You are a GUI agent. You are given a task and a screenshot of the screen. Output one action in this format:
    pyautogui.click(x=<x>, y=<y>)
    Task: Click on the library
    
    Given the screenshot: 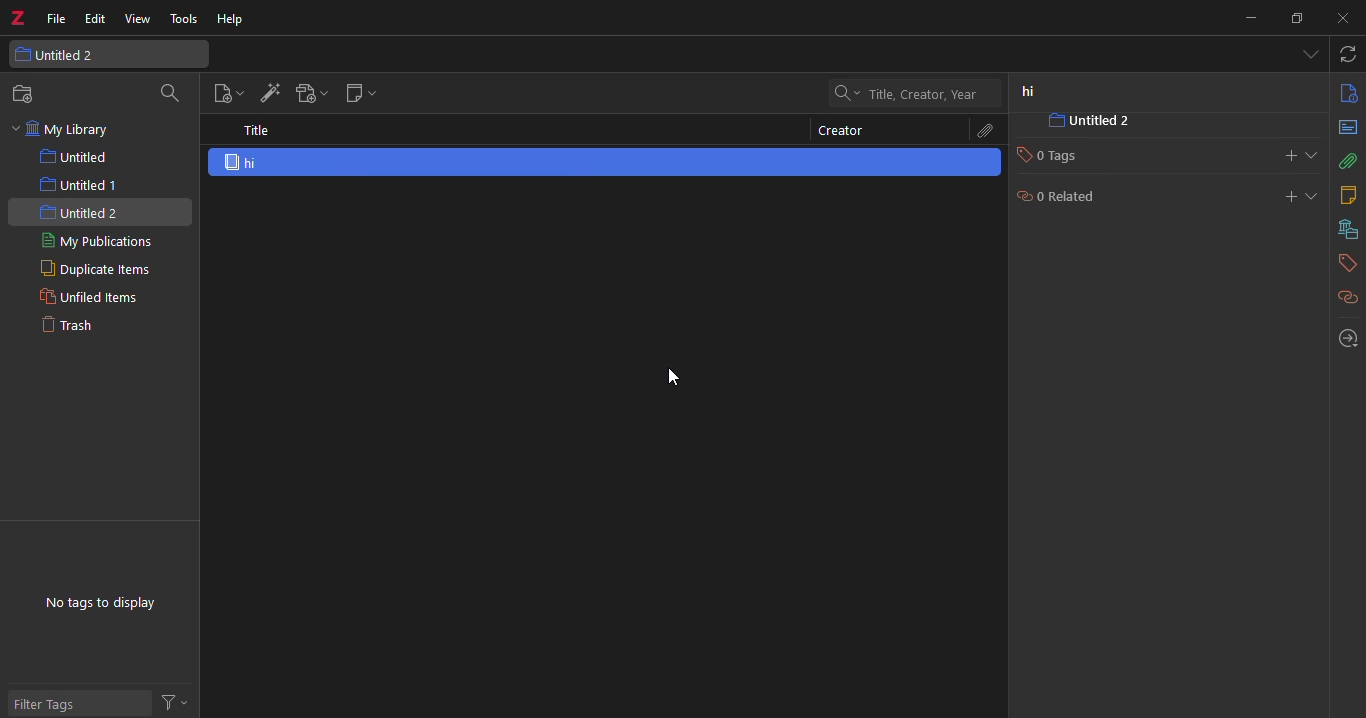 What is the action you would take?
    pyautogui.click(x=1344, y=230)
    